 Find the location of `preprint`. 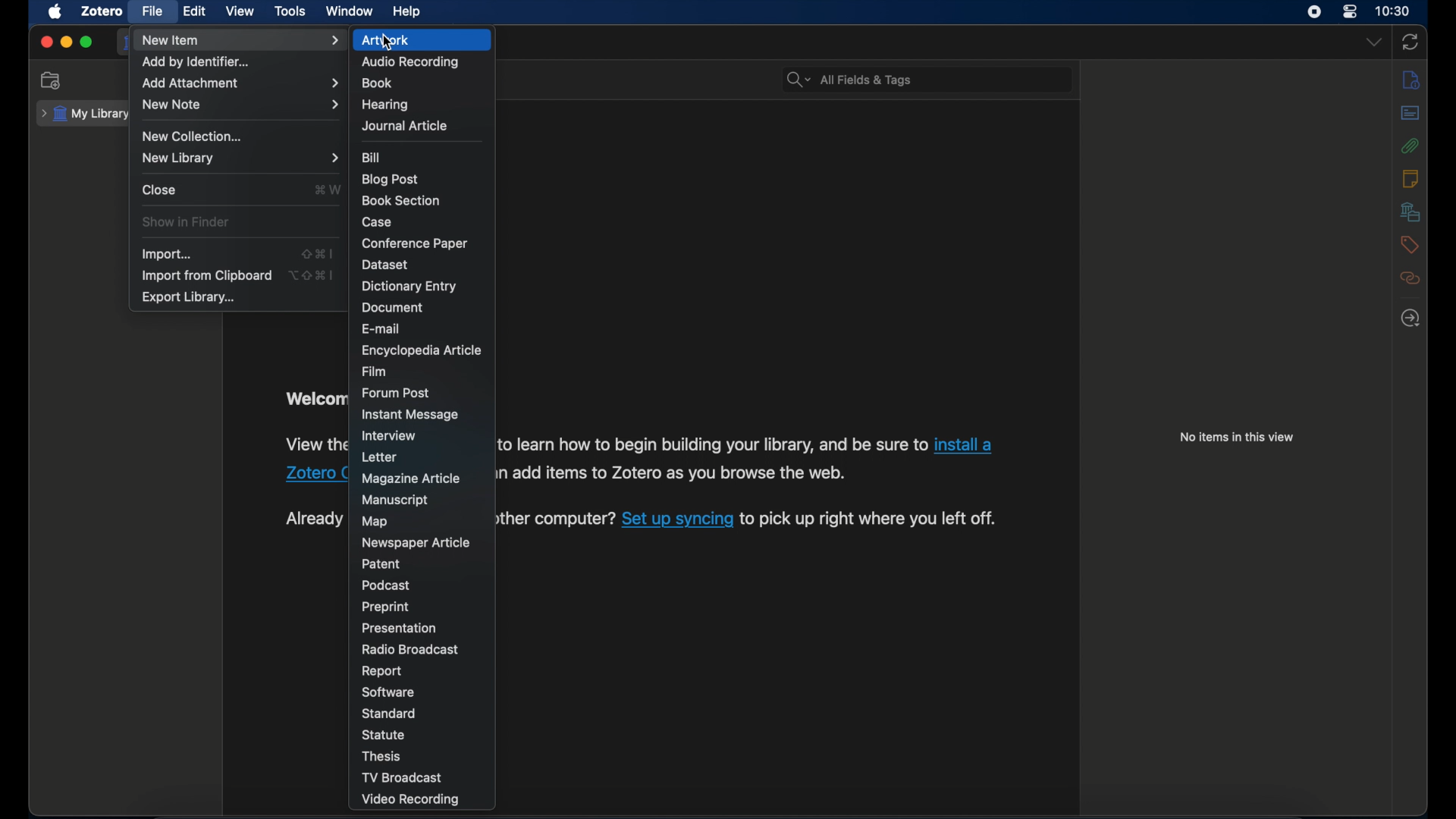

preprint is located at coordinates (385, 608).